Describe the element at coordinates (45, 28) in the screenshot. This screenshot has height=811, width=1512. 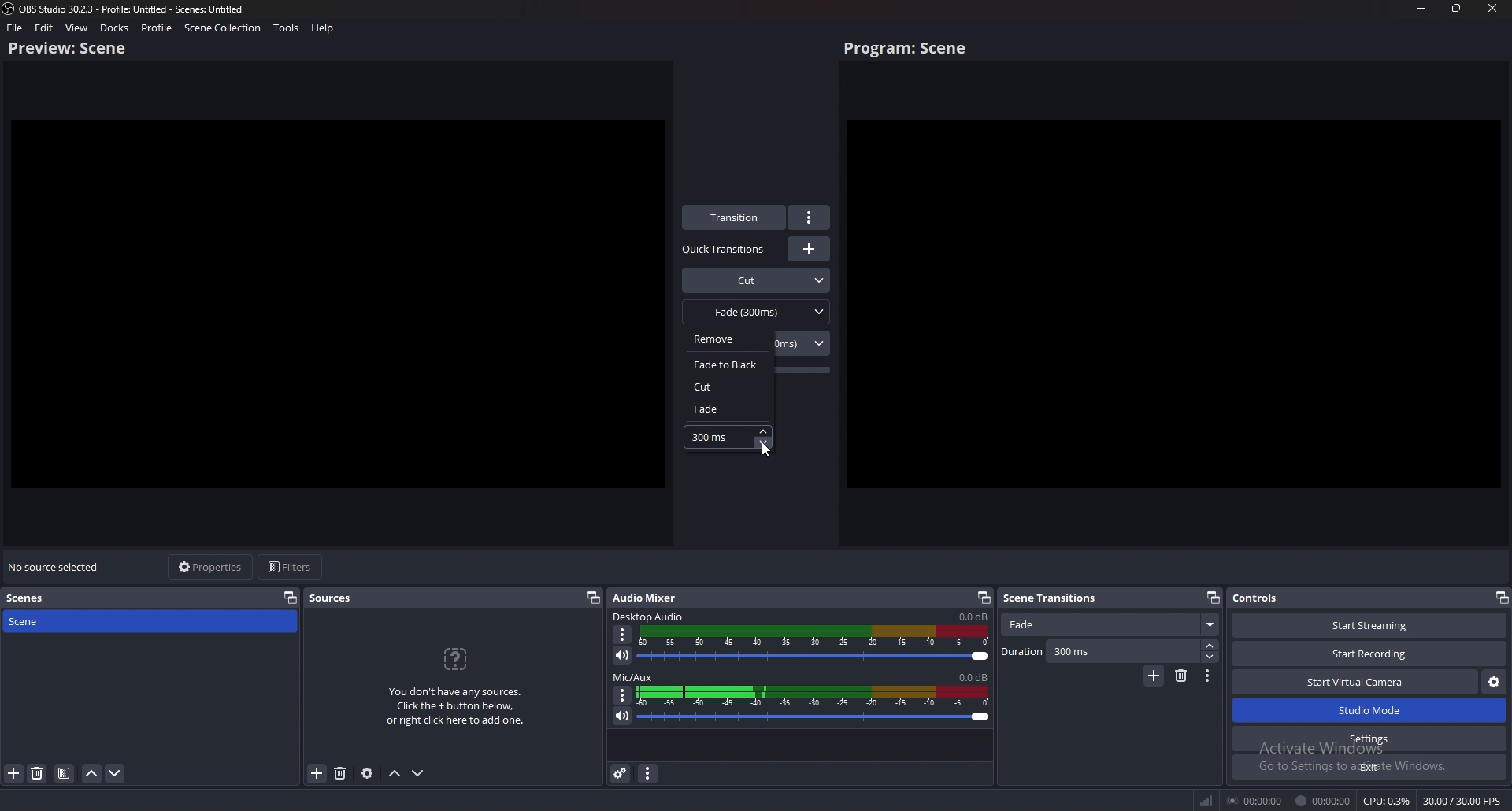
I see `edit` at that location.